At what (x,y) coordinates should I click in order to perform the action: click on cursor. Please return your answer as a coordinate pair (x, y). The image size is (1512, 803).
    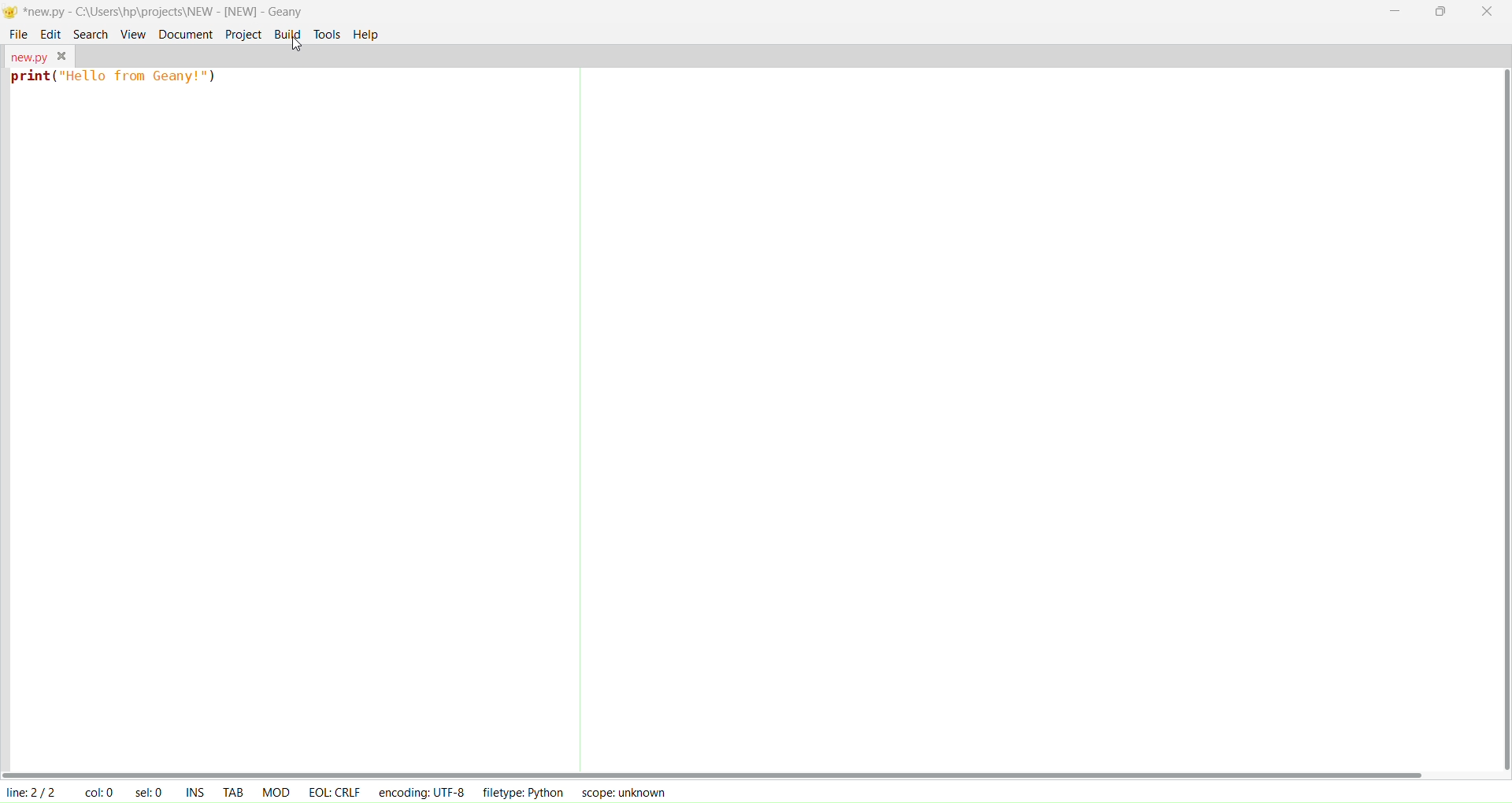
    Looking at the image, I should click on (288, 58).